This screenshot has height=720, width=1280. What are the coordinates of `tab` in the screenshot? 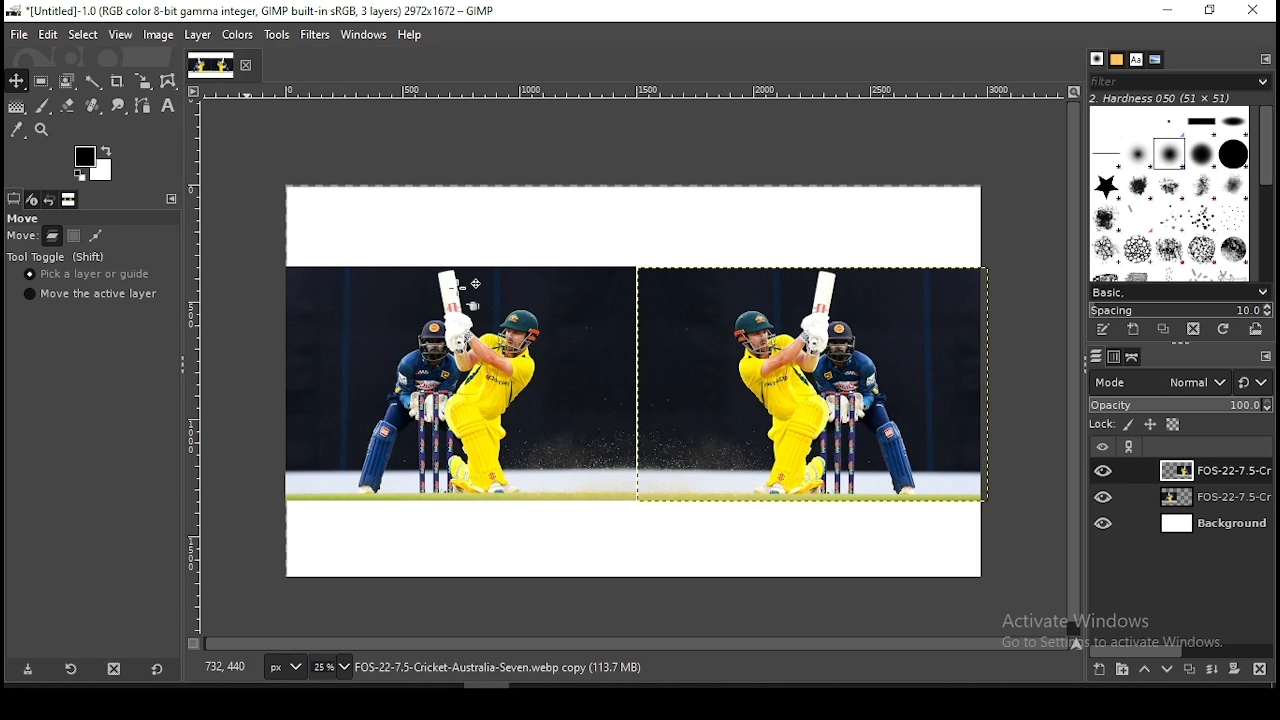 It's located at (209, 65).